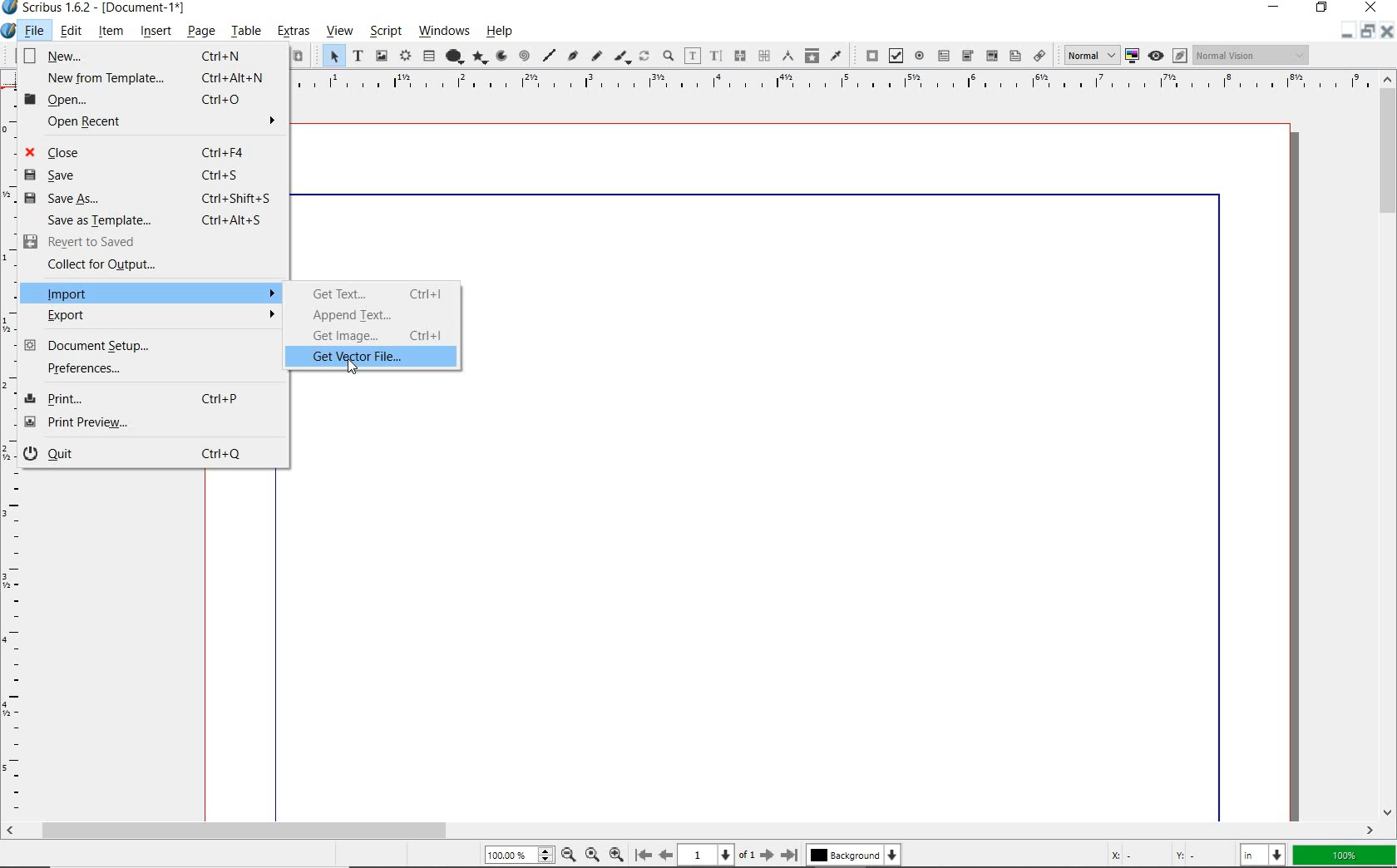 Image resolution: width=1397 pixels, height=868 pixels. What do you see at coordinates (644, 55) in the screenshot?
I see `rotate item` at bounding box center [644, 55].